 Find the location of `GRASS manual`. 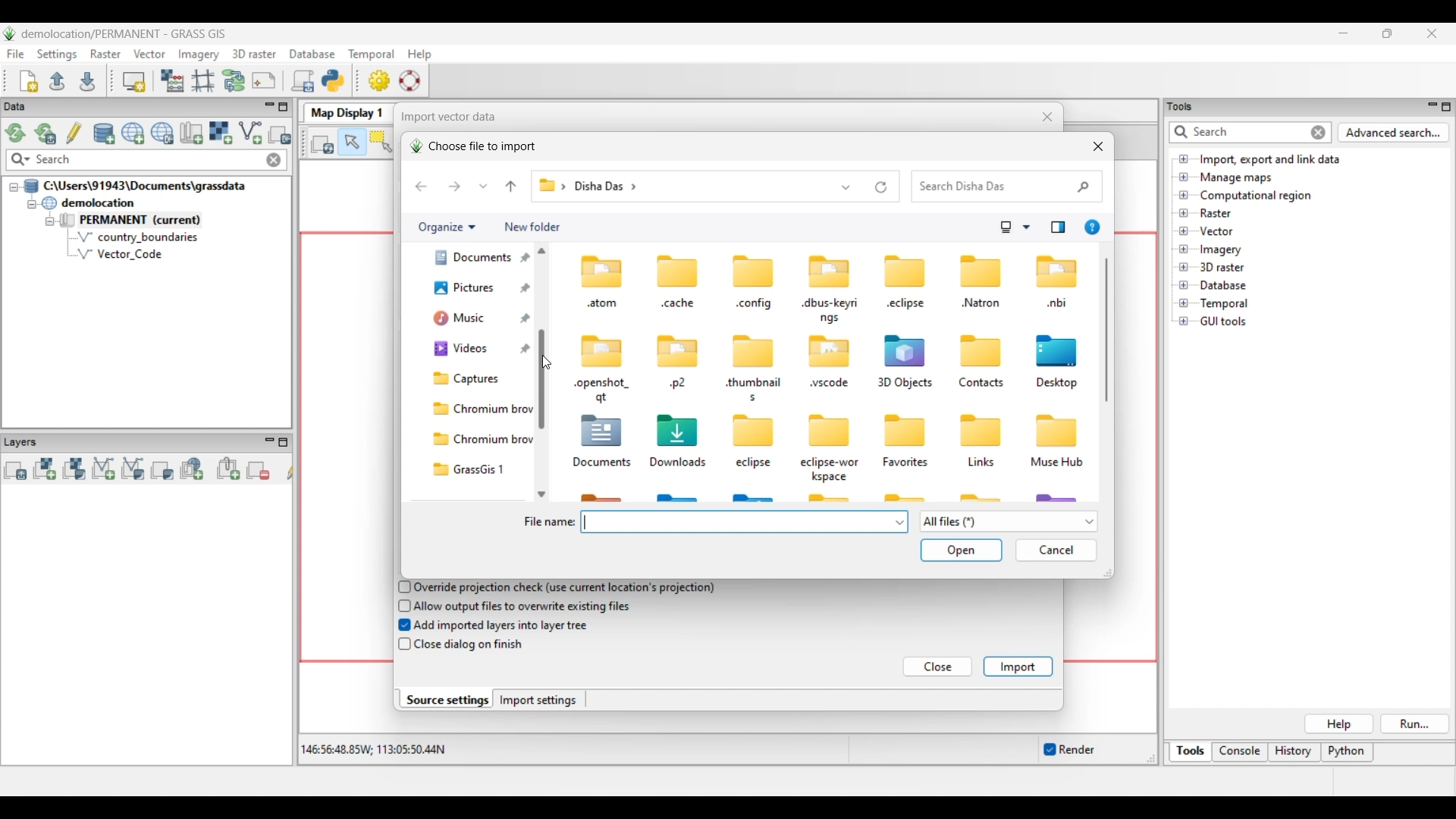

GRASS manual is located at coordinates (409, 80).